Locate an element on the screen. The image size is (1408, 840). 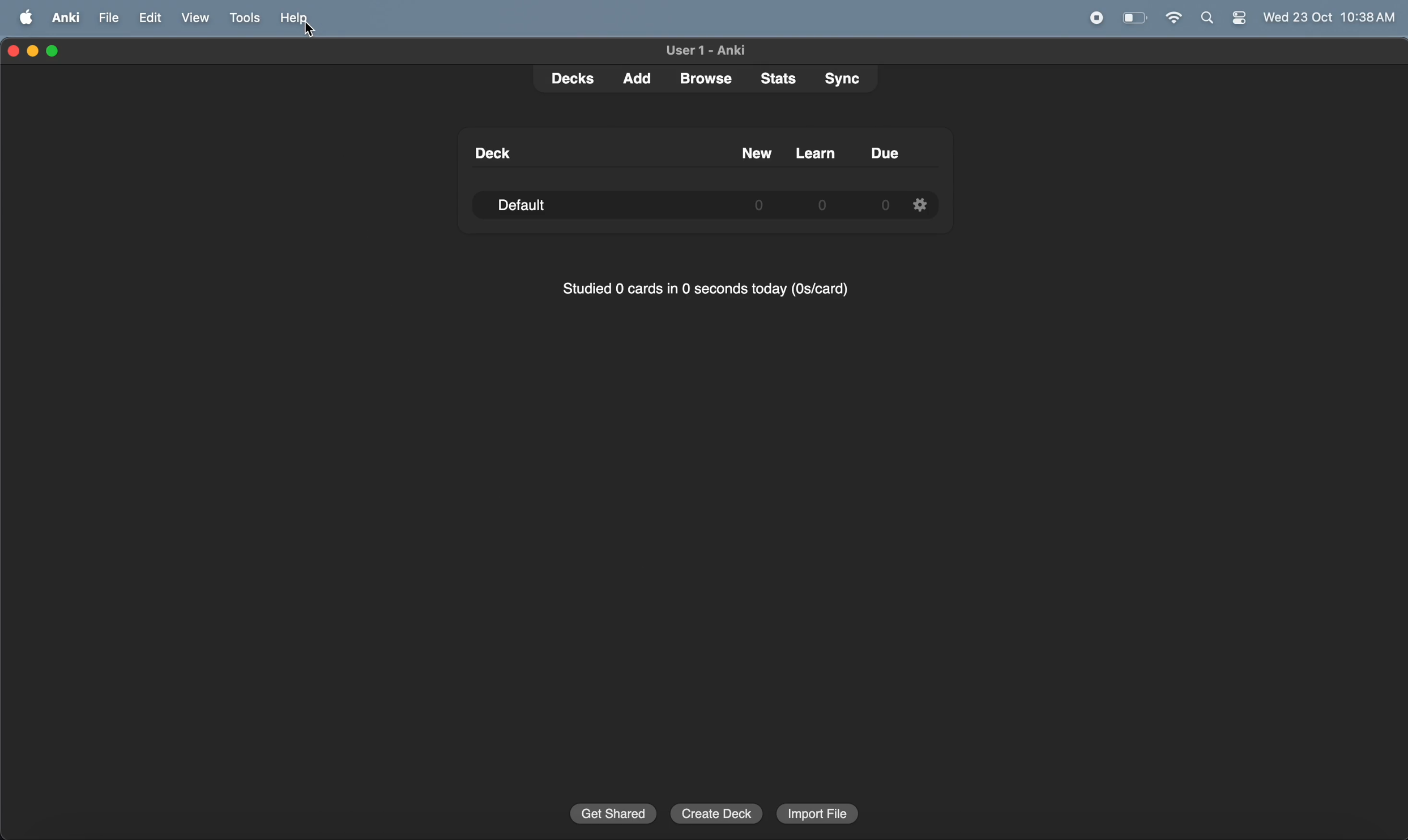
maximize is located at coordinates (54, 51).